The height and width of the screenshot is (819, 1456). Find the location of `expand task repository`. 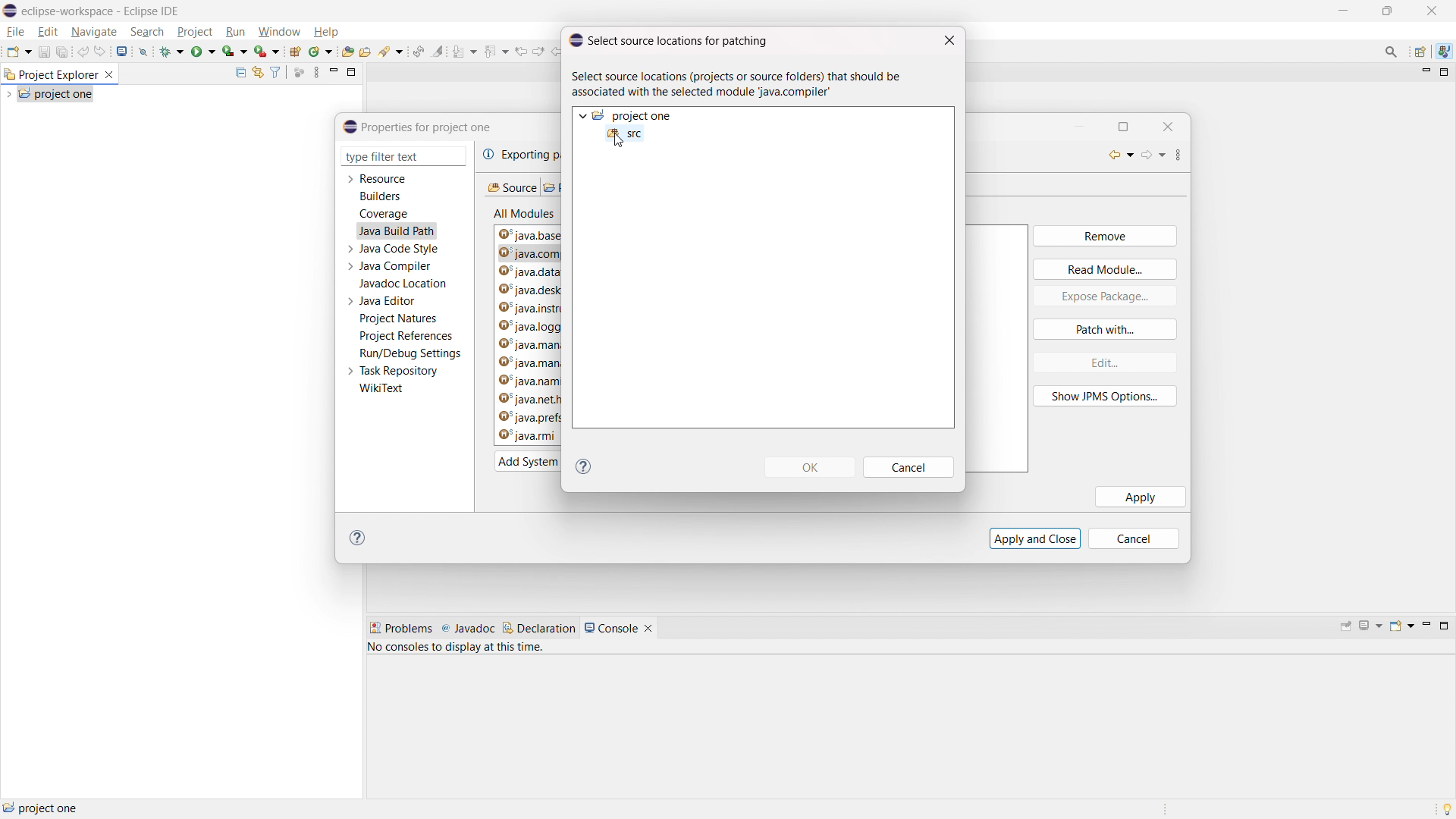

expand task repository is located at coordinates (349, 372).